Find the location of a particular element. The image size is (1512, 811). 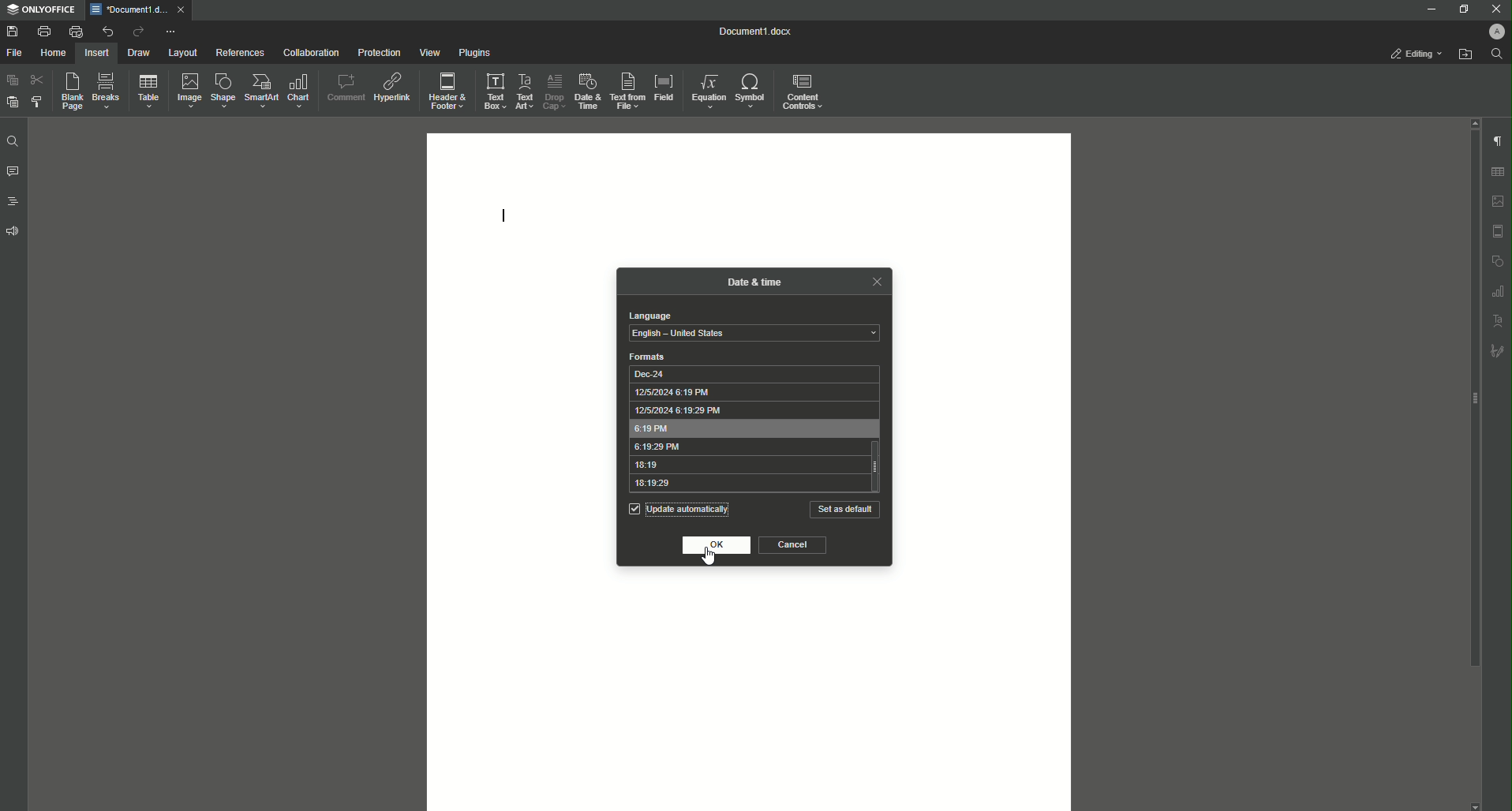

Close is located at coordinates (1495, 9).